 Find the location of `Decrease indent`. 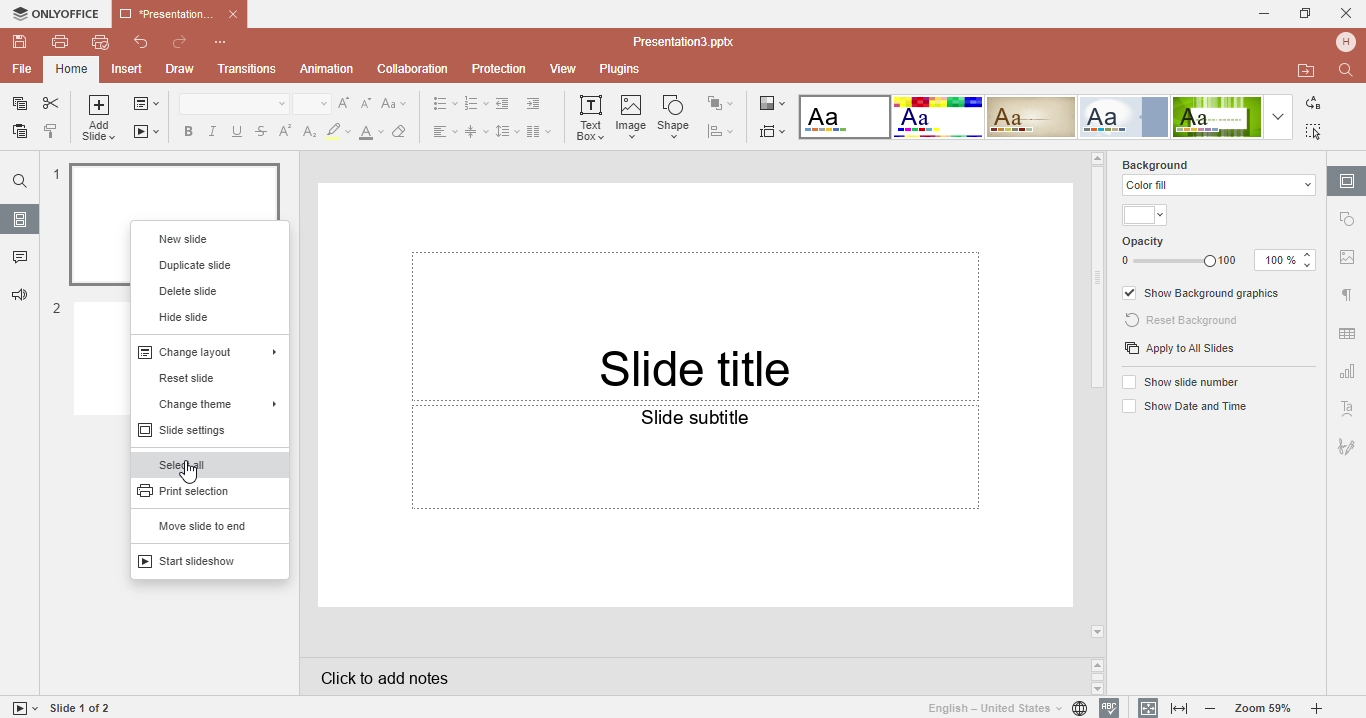

Decrease indent is located at coordinates (505, 103).